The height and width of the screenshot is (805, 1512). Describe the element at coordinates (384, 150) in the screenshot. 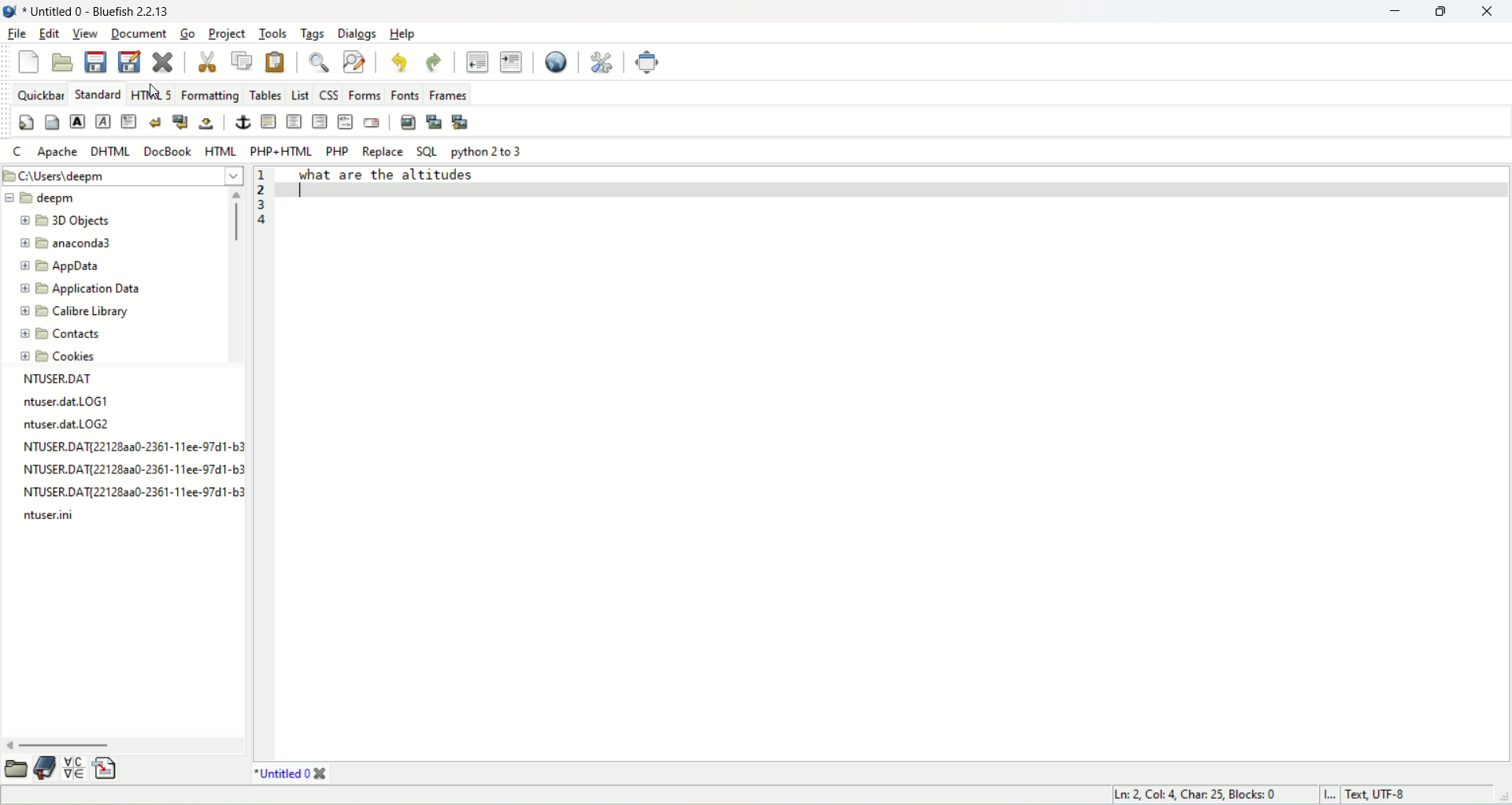

I see `REPLACE` at that location.